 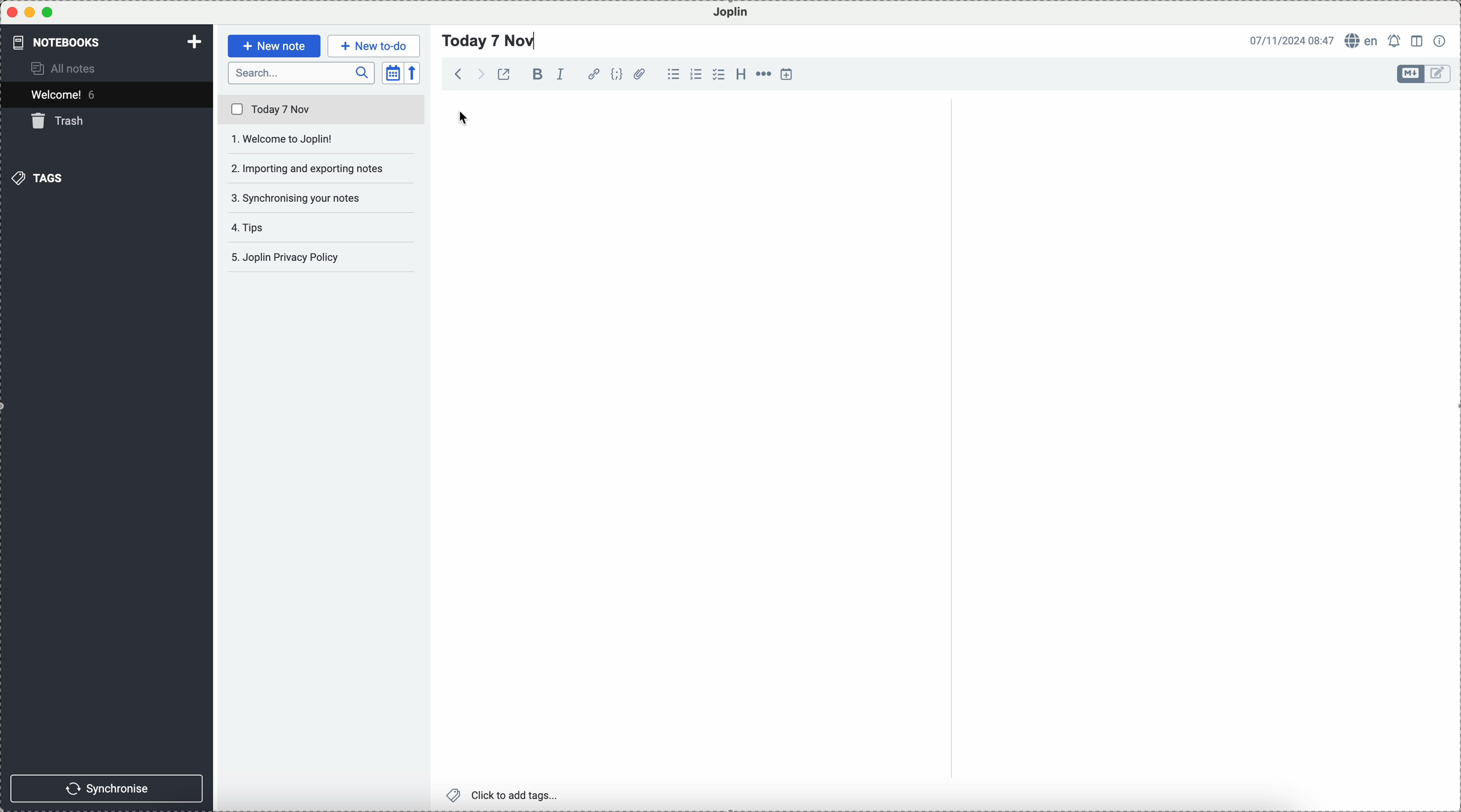 What do you see at coordinates (1362, 40) in the screenshot?
I see `language` at bounding box center [1362, 40].